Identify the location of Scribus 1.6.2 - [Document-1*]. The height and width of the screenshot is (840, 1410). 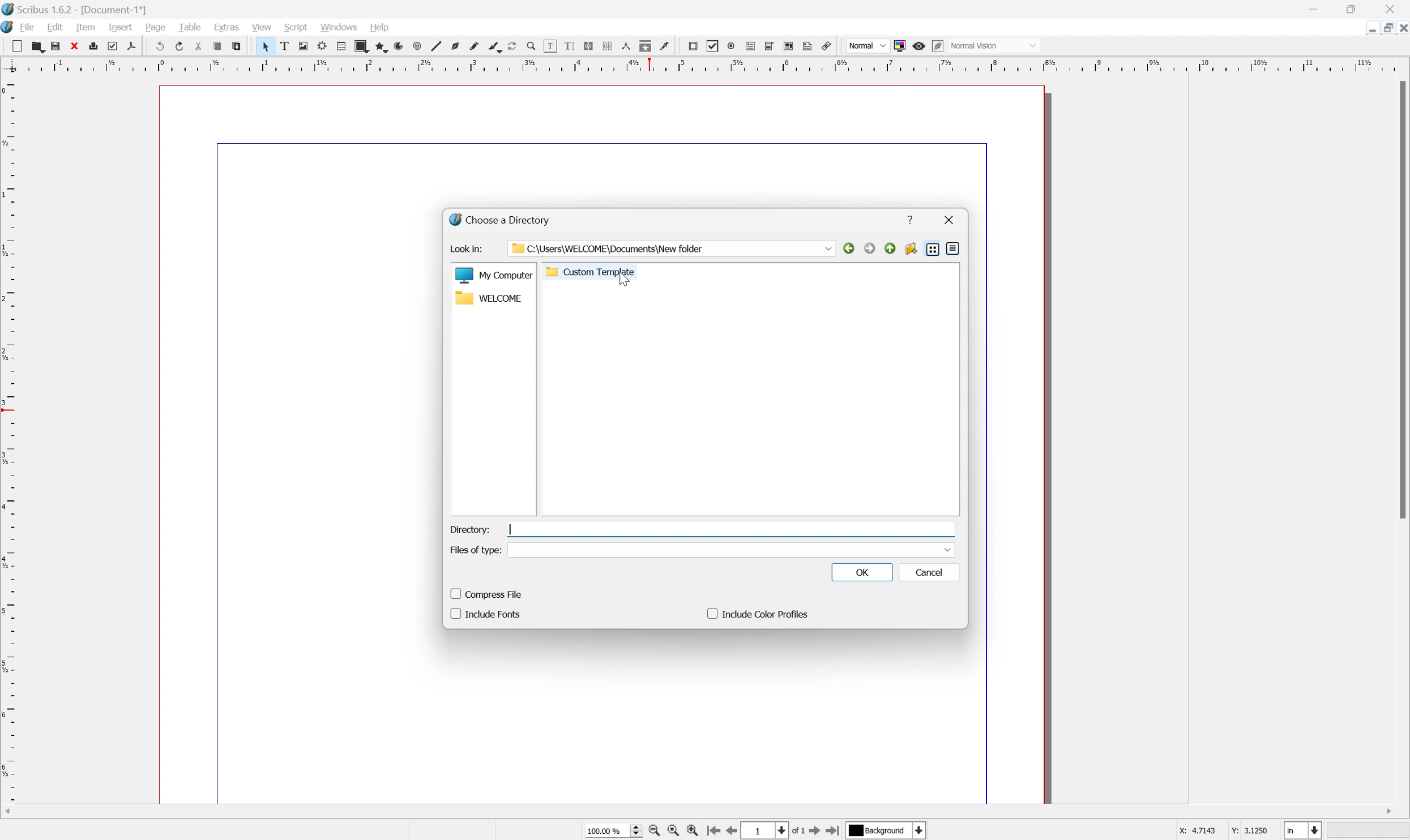
(81, 9).